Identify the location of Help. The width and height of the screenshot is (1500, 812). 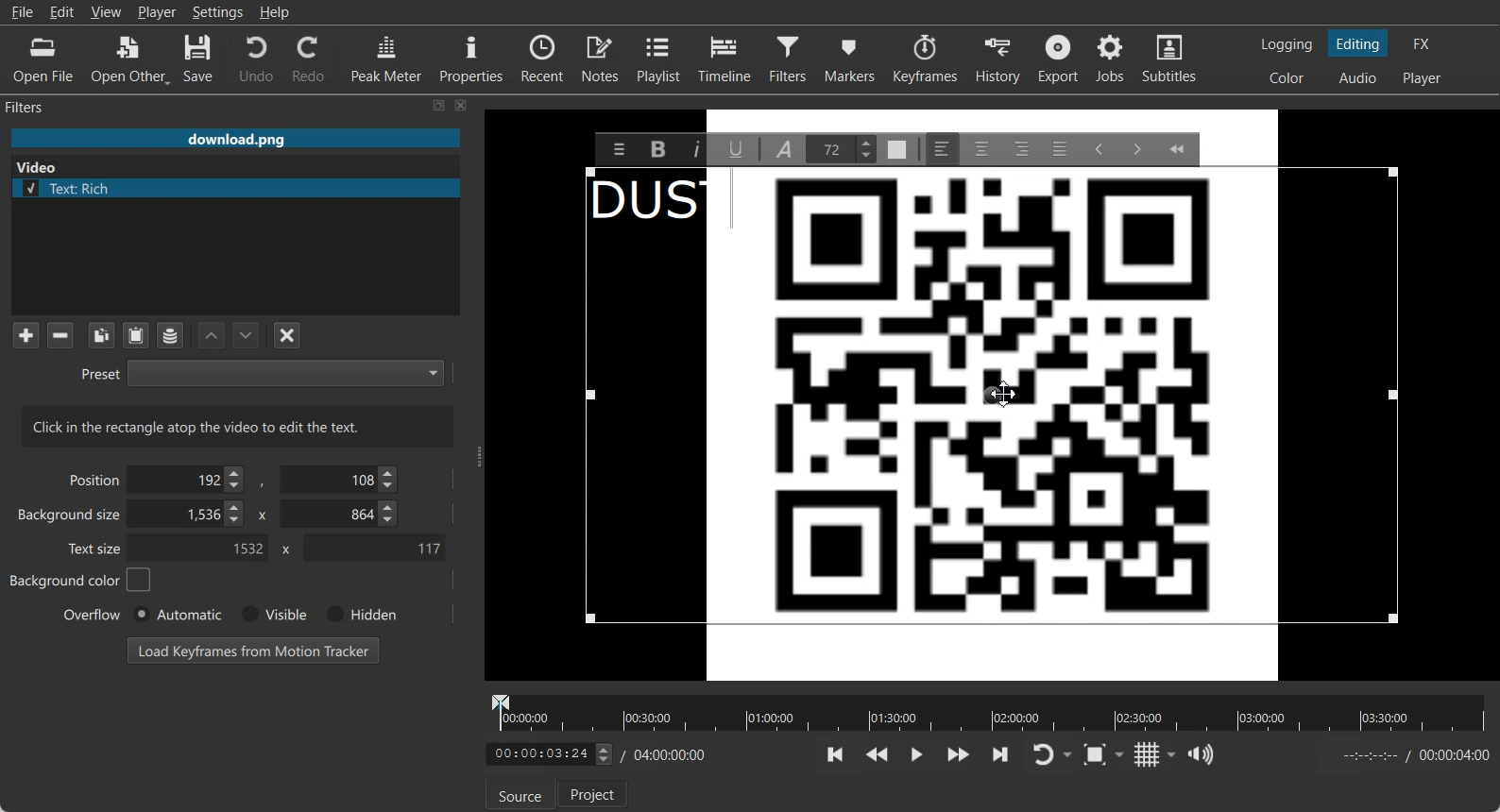
(275, 12).